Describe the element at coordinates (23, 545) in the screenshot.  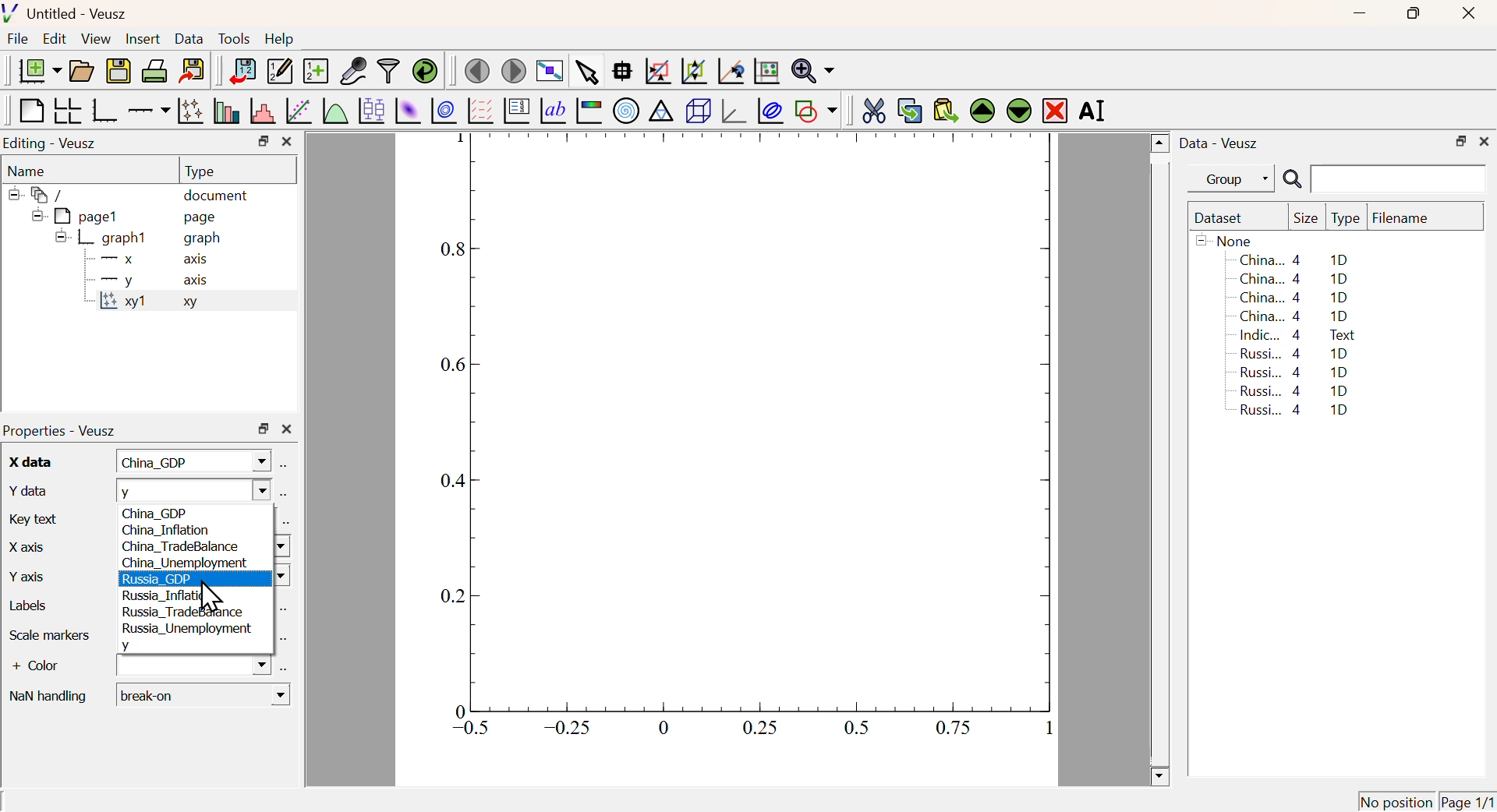
I see `X axis` at that location.